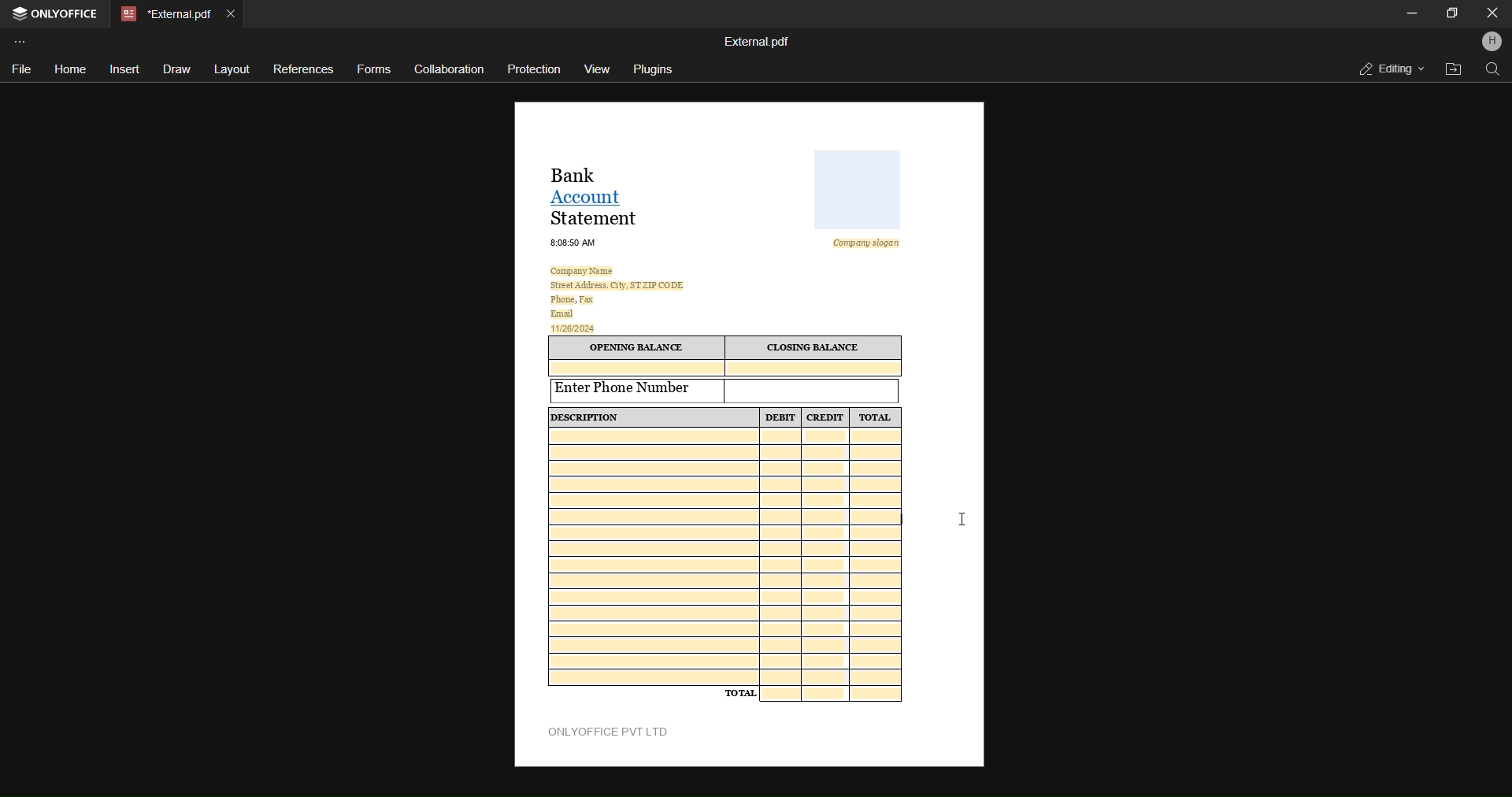 This screenshot has width=1512, height=797. I want to click on references, so click(305, 68).